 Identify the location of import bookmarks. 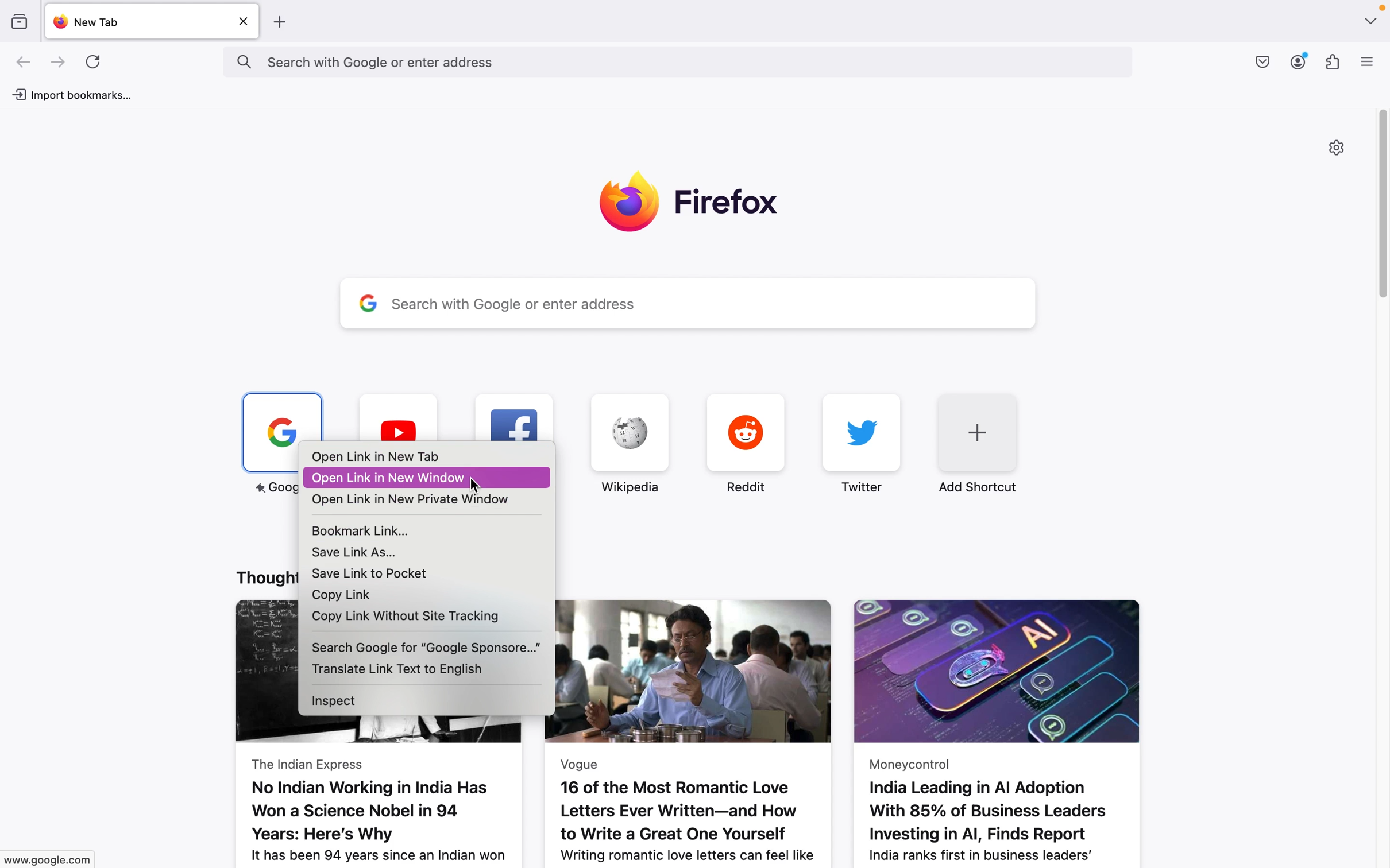
(82, 94).